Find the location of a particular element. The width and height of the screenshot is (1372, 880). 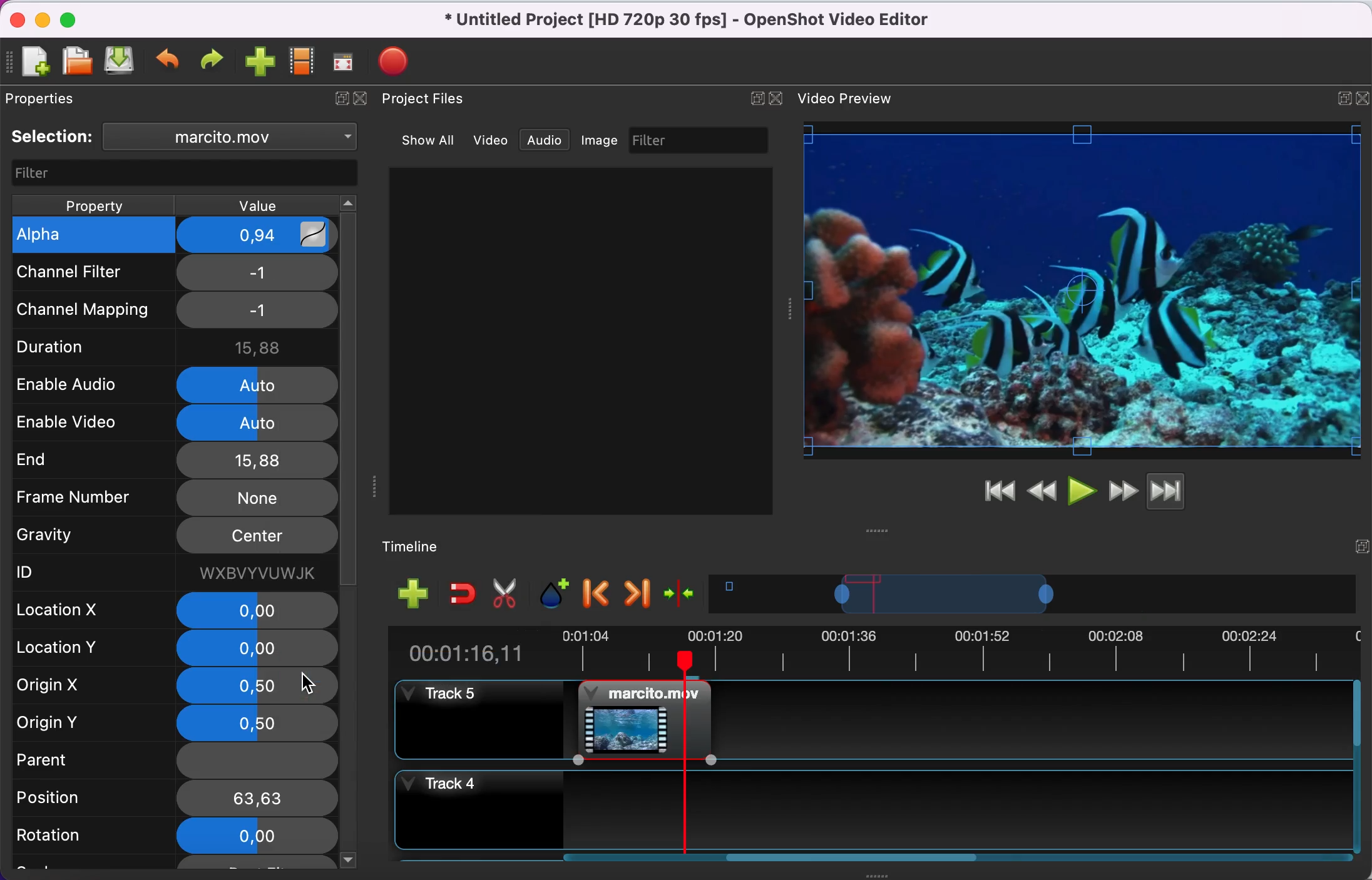

choose profile is located at coordinates (302, 61).